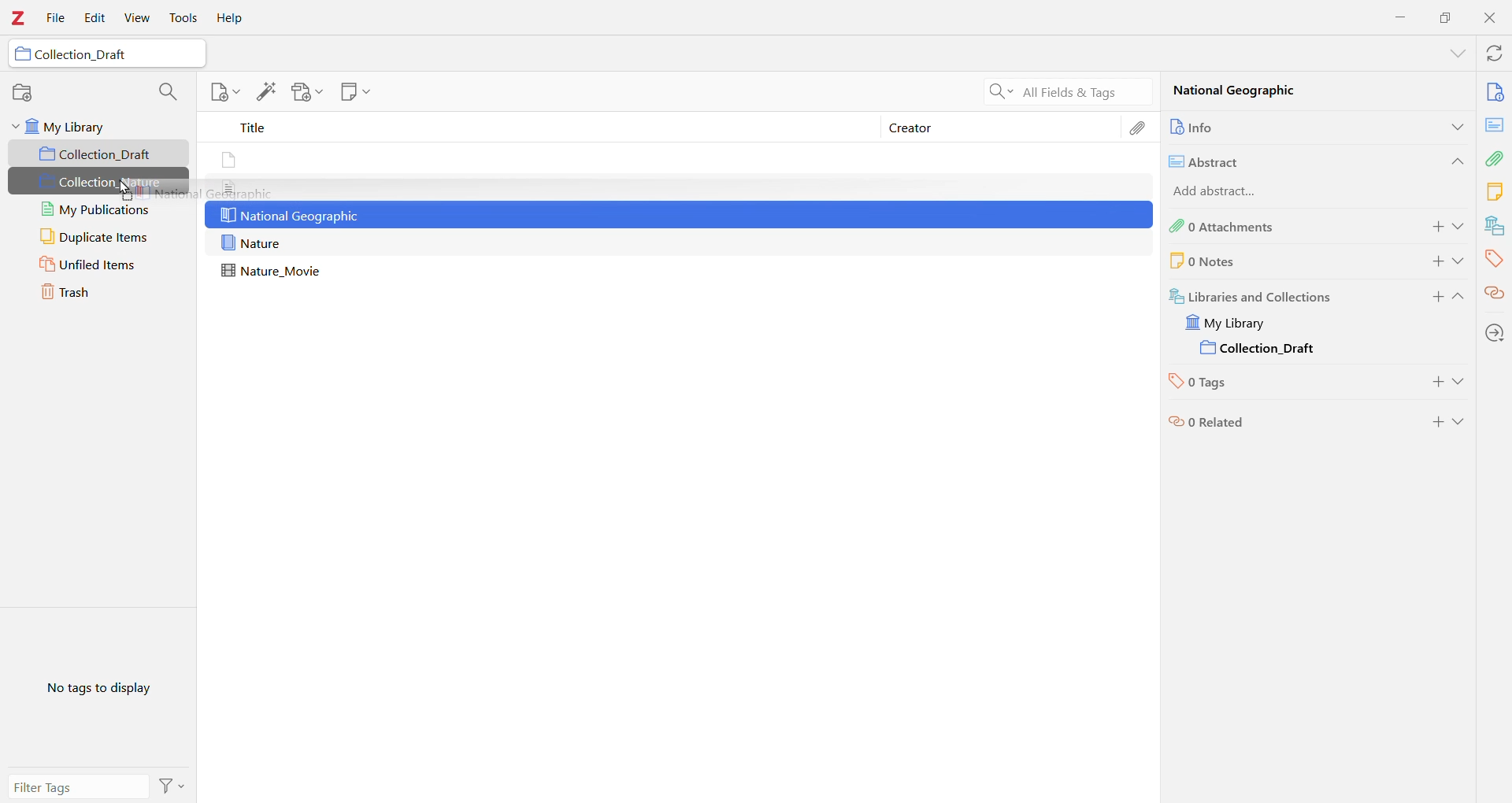 This screenshot has width=1512, height=803. I want to click on No tags to display, so click(97, 687).